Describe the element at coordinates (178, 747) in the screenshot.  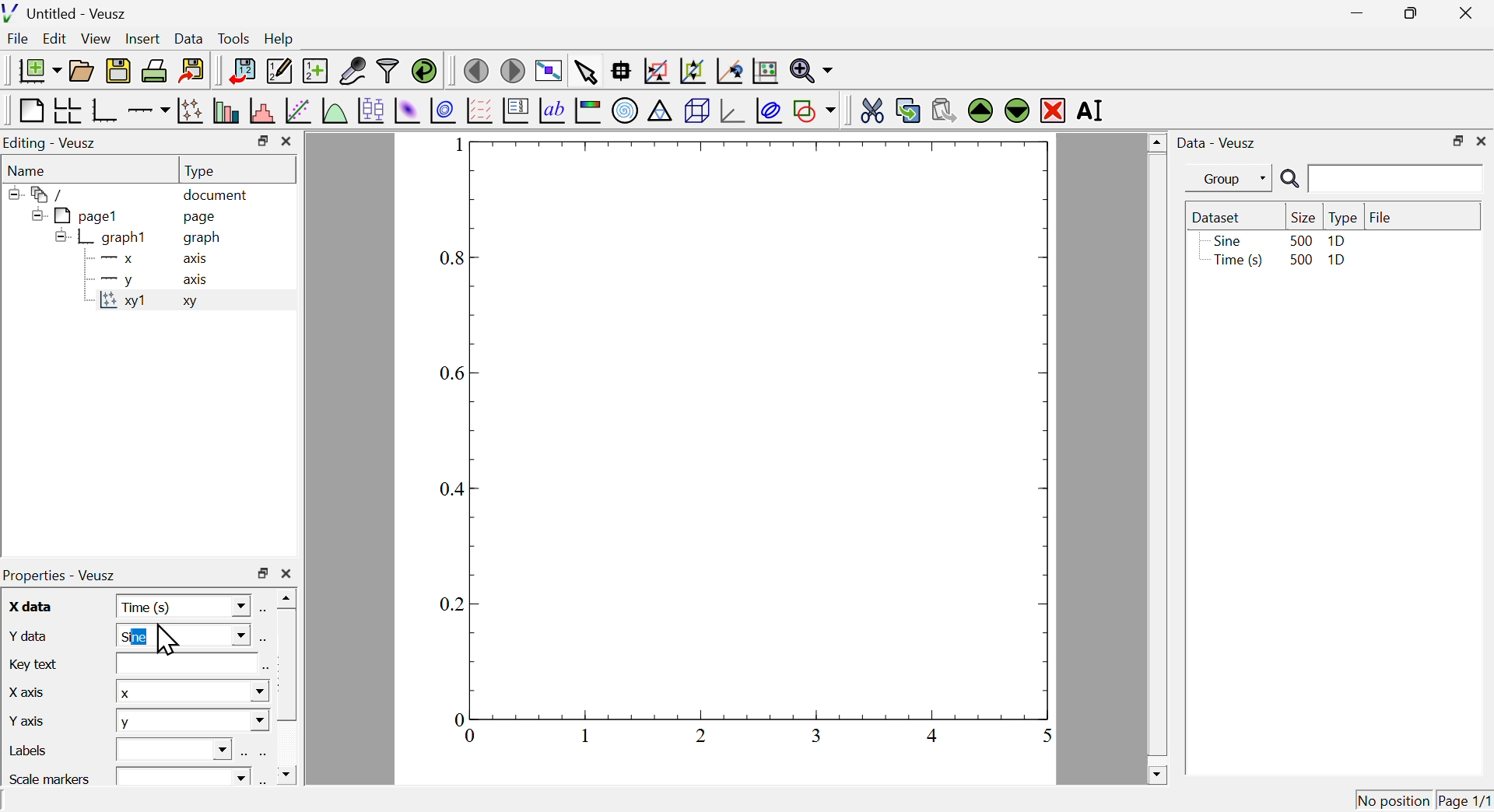
I see `text box` at that location.